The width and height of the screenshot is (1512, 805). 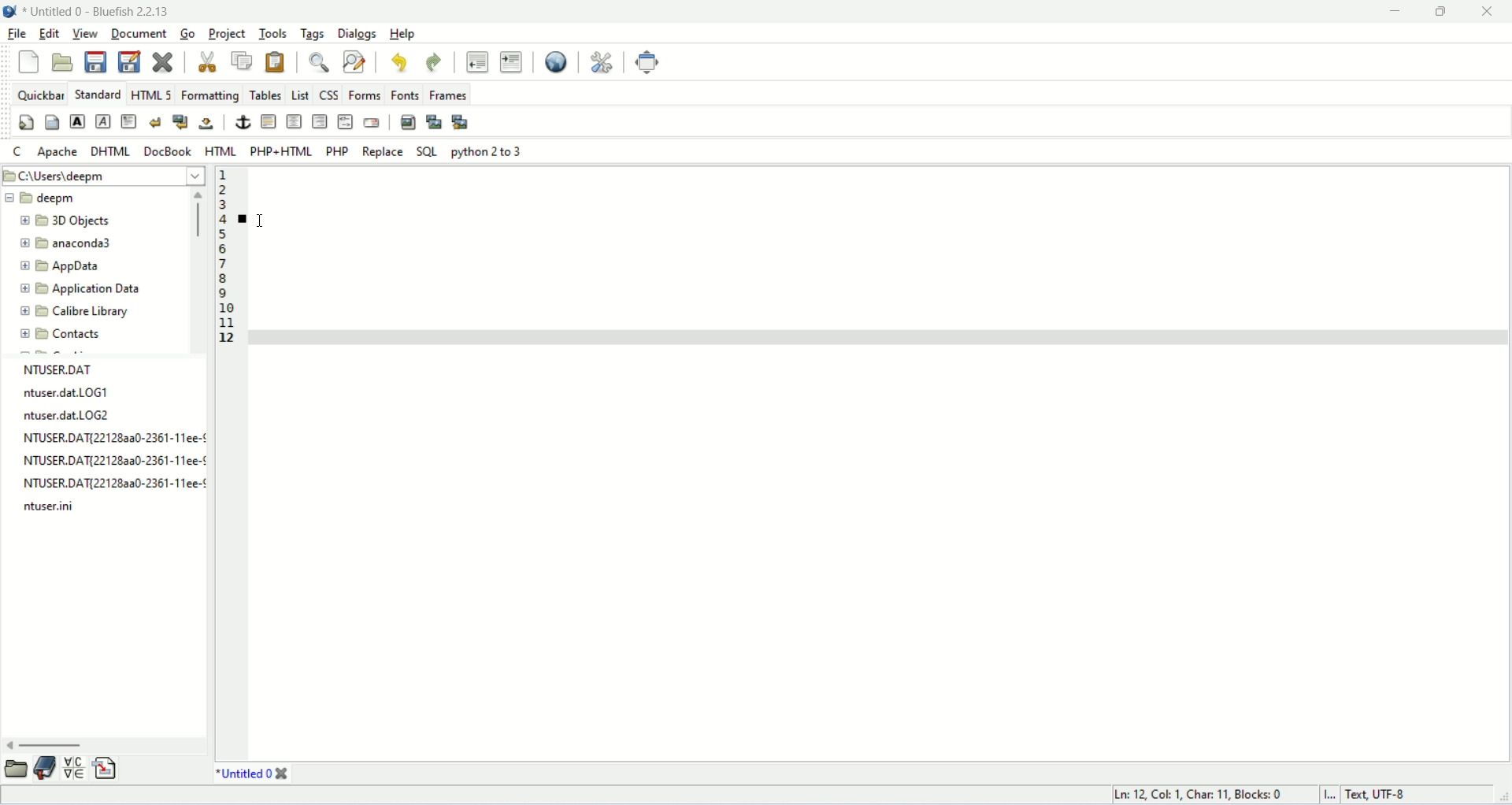 What do you see at coordinates (365, 93) in the screenshot?
I see `forms` at bounding box center [365, 93].